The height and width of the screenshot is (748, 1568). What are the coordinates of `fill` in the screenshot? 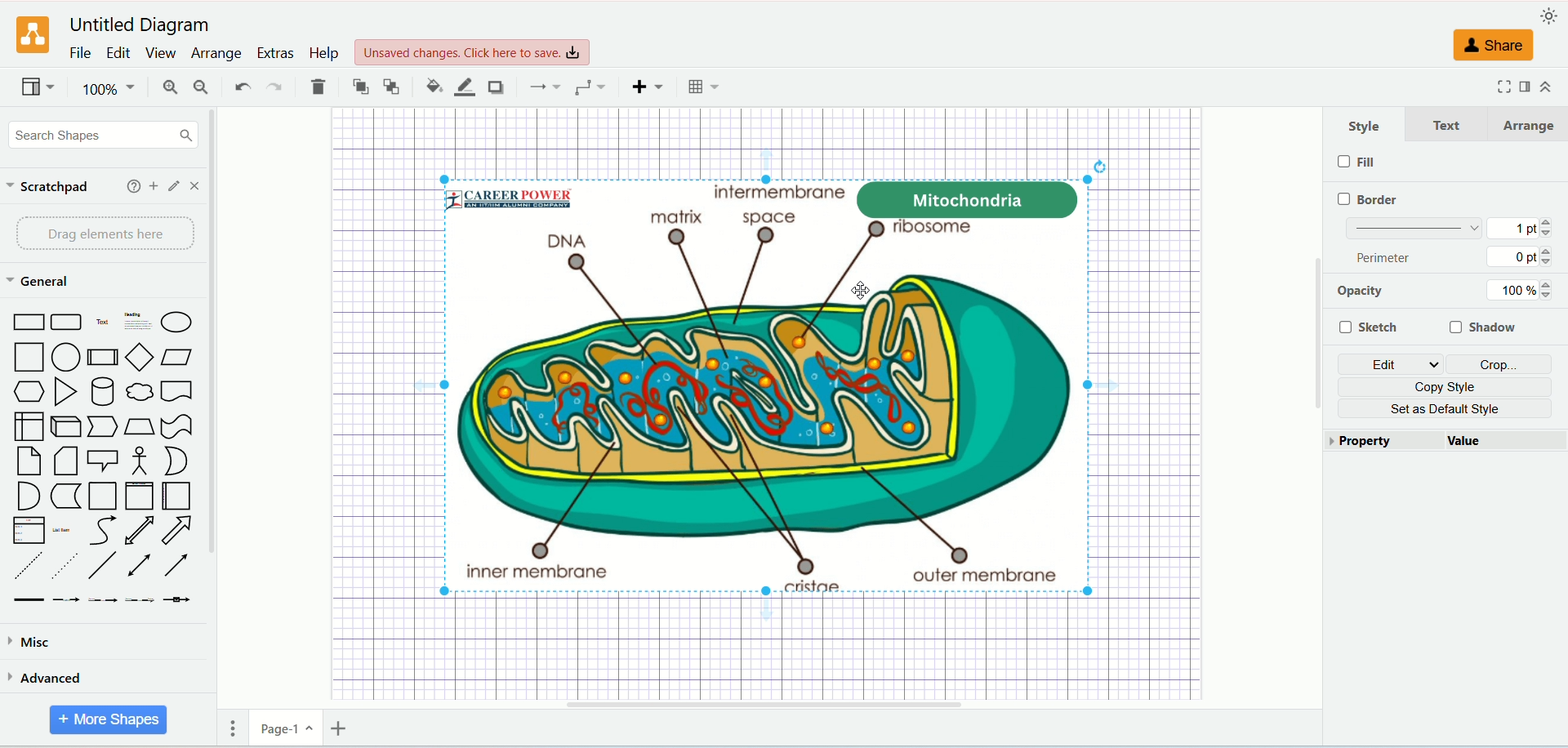 It's located at (1359, 163).